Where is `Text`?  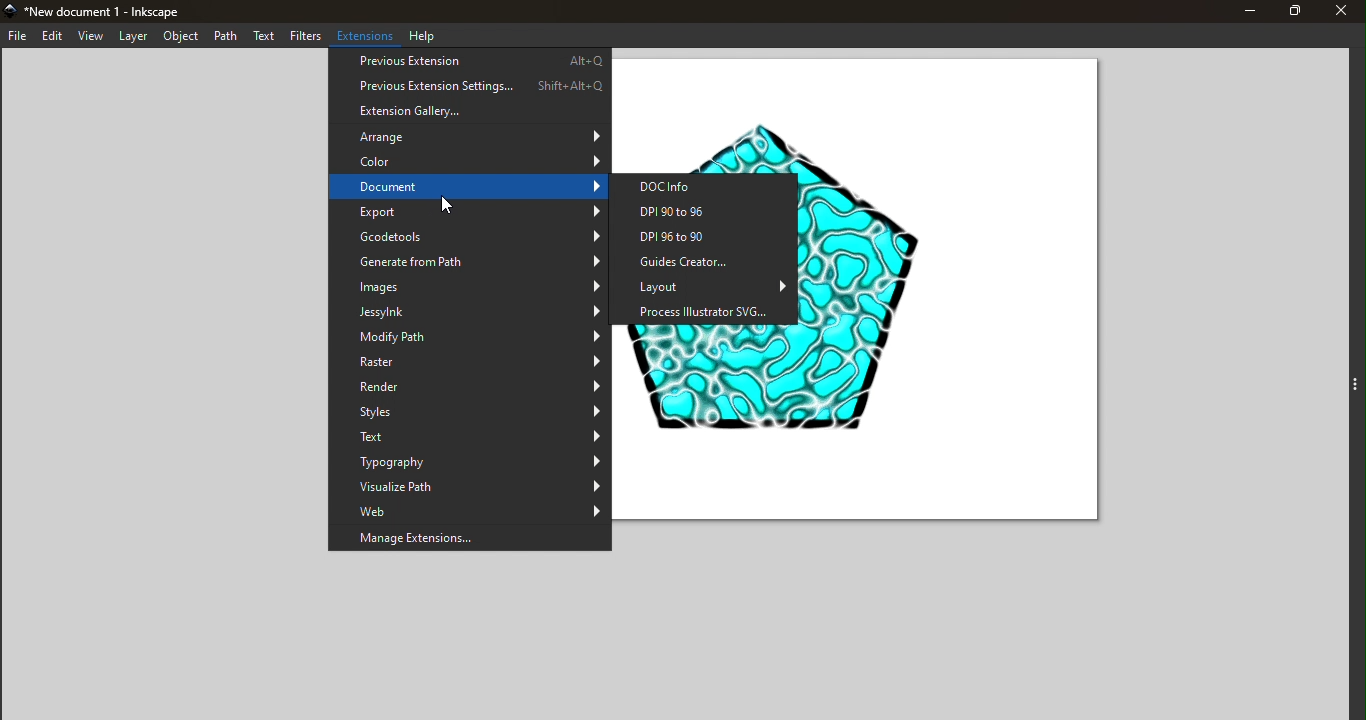
Text is located at coordinates (470, 437).